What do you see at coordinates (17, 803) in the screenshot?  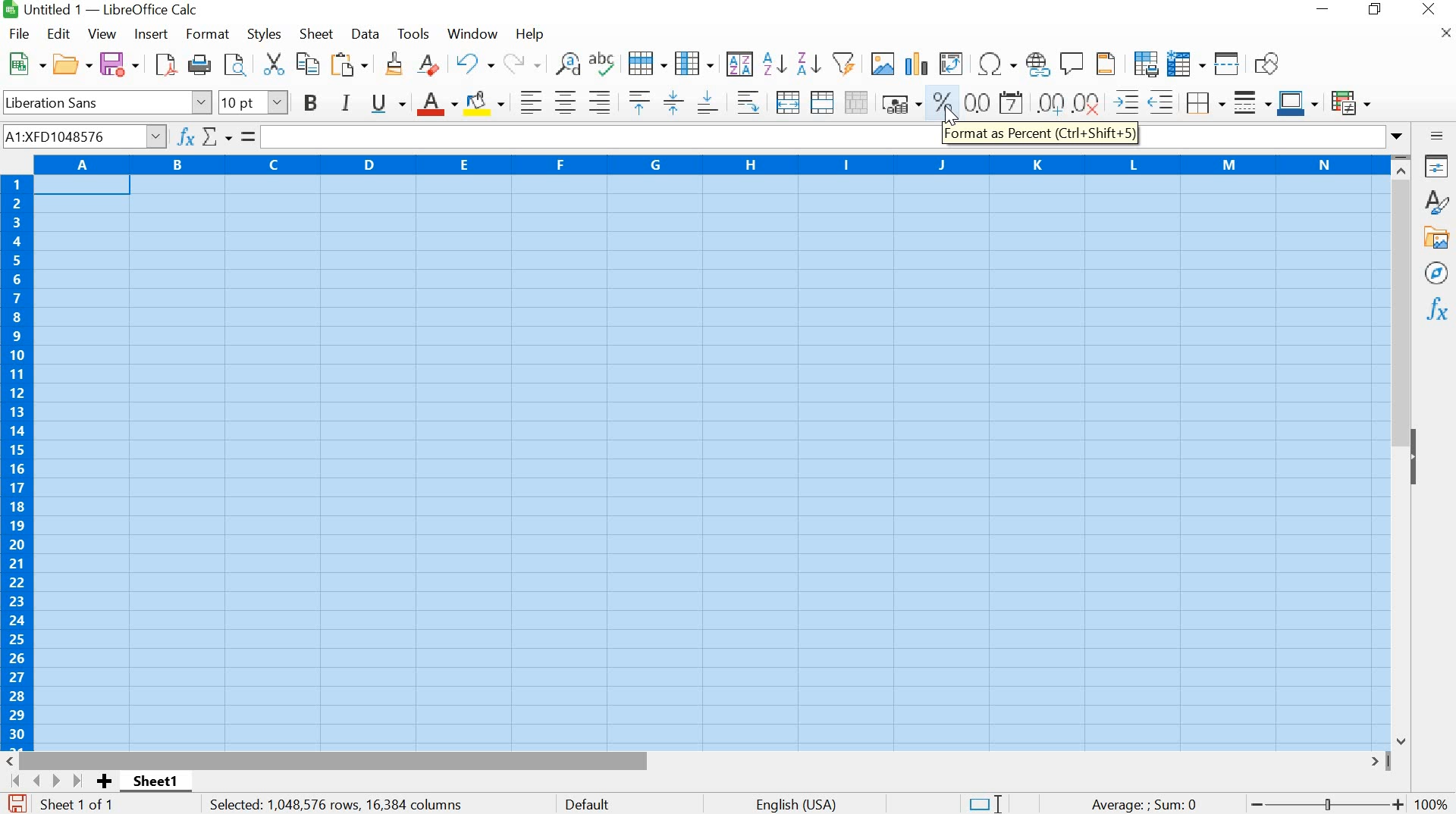 I see `SAVE` at bounding box center [17, 803].